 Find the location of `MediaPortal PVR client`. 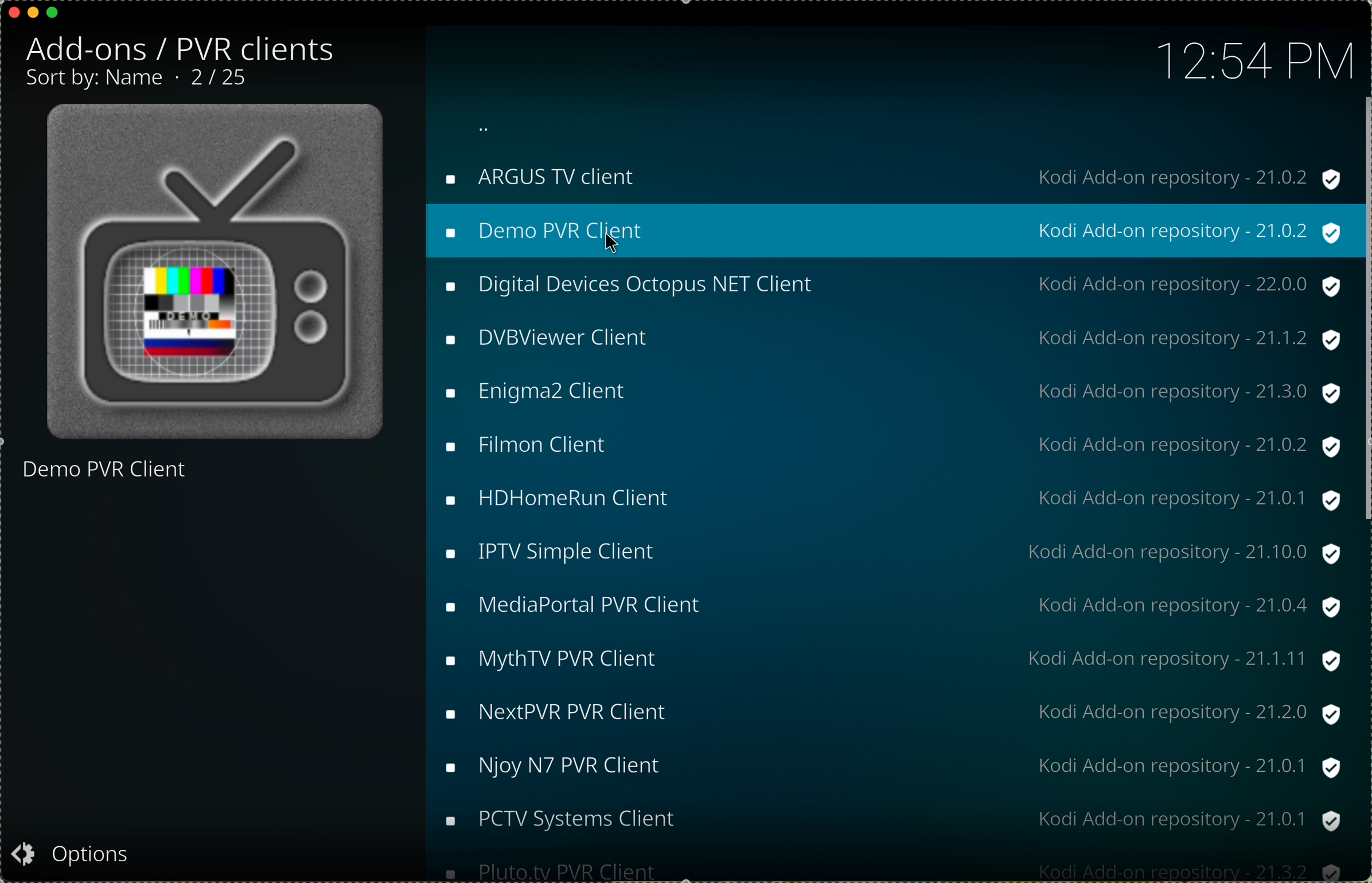

MediaPortal PVR client is located at coordinates (593, 605).